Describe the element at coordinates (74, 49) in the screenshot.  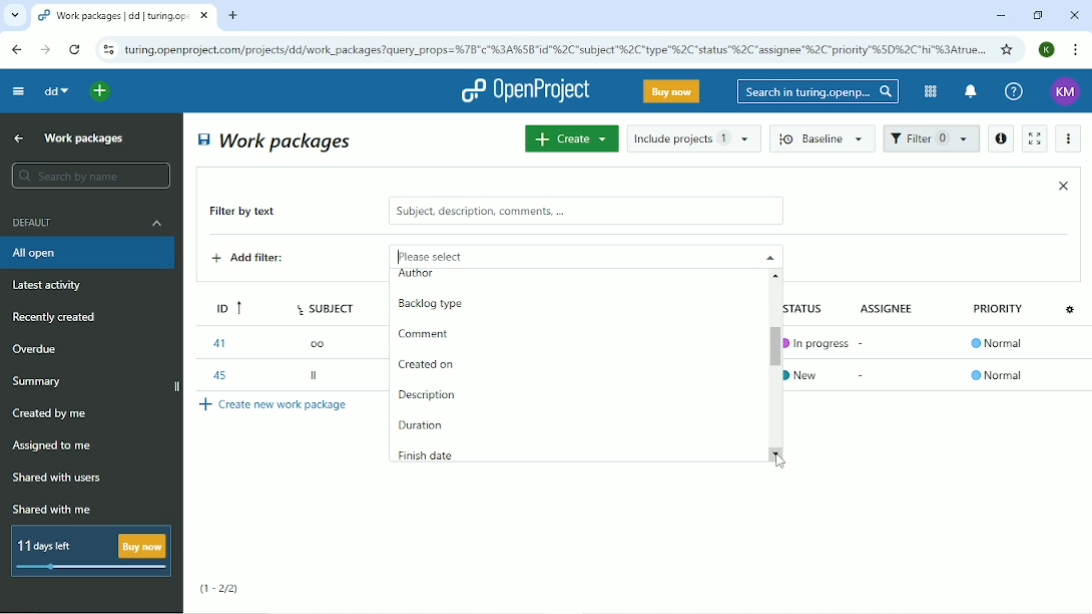
I see `Reload this page` at that location.